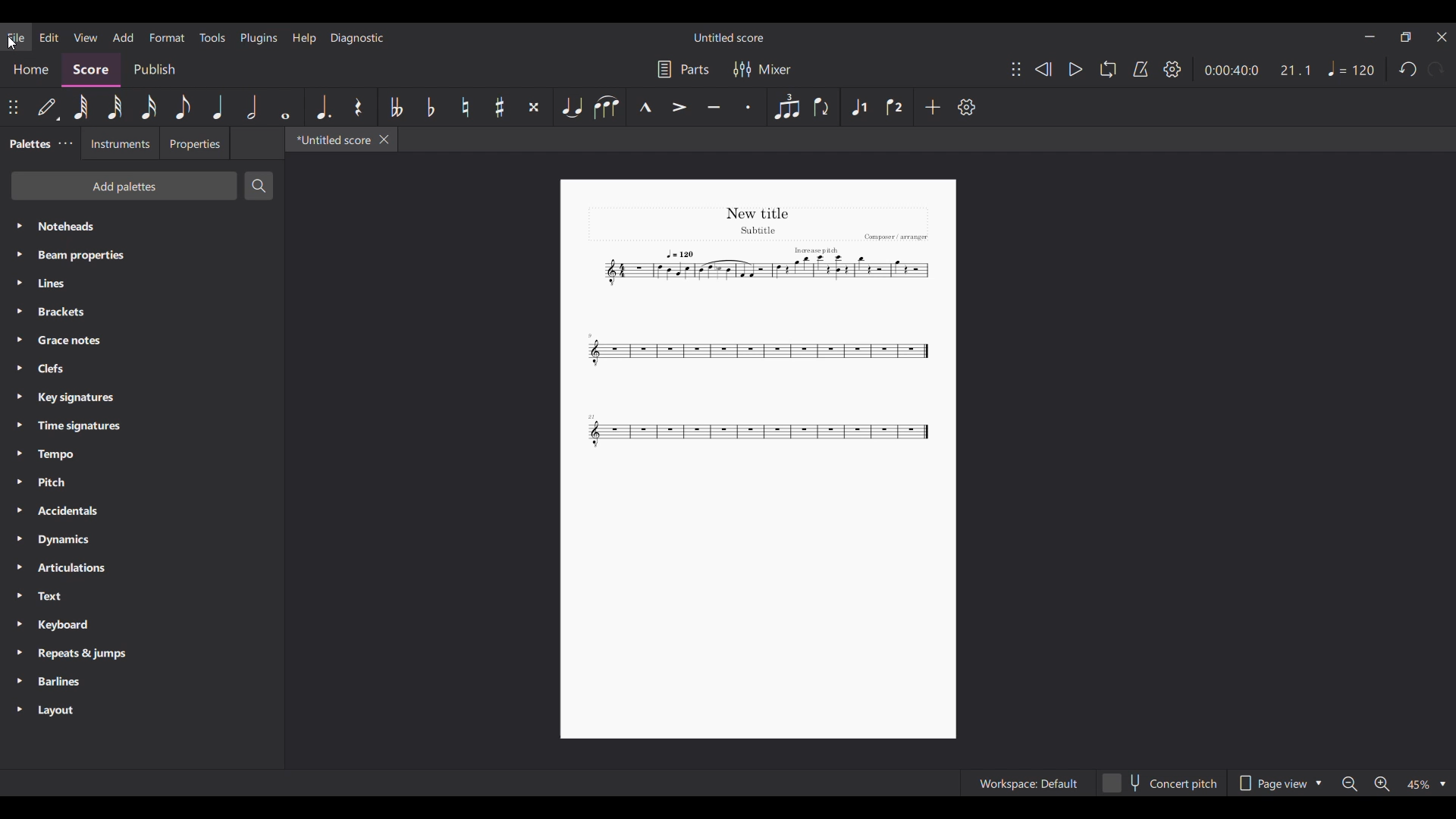 This screenshot has height=819, width=1456. What do you see at coordinates (684, 69) in the screenshot?
I see `Parts settings` at bounding box center [684, 69].